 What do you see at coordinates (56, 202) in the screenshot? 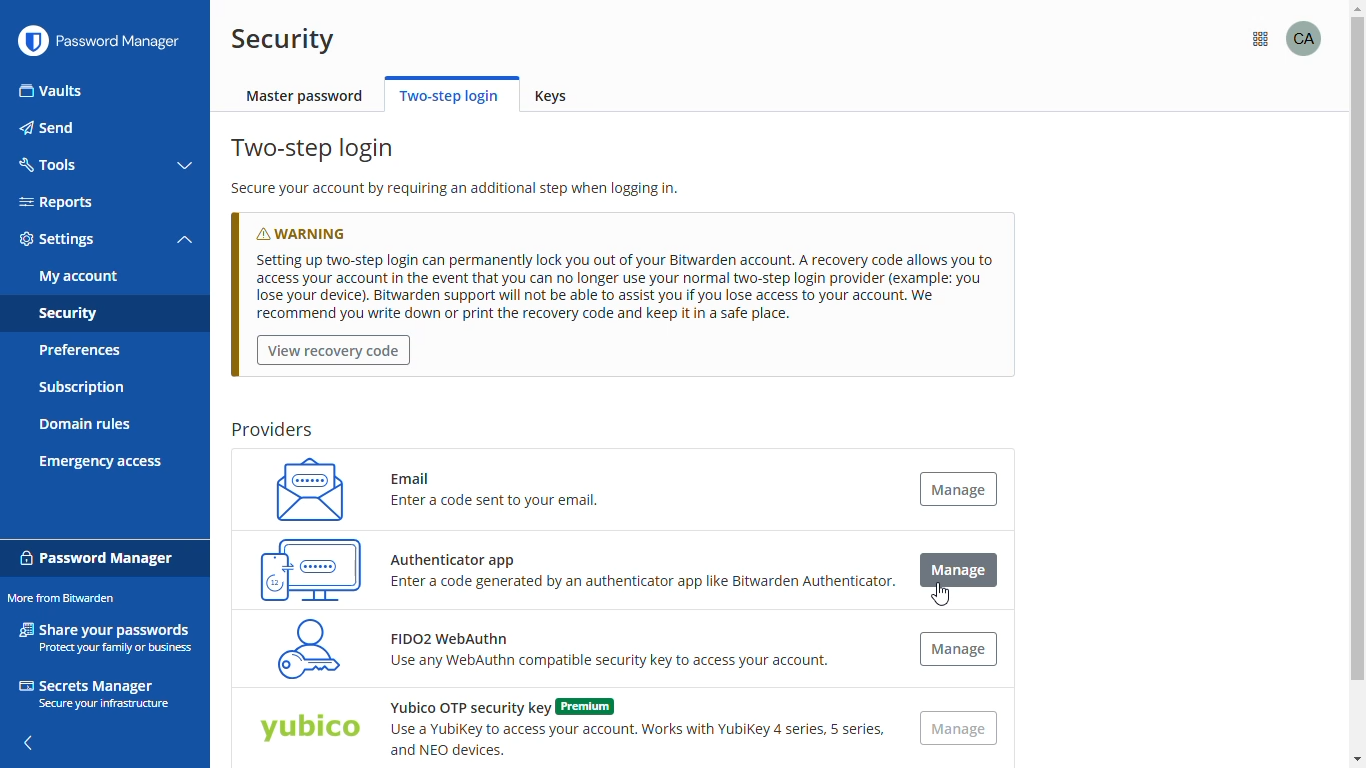
I see `reports` at bounding box center [56, 202].